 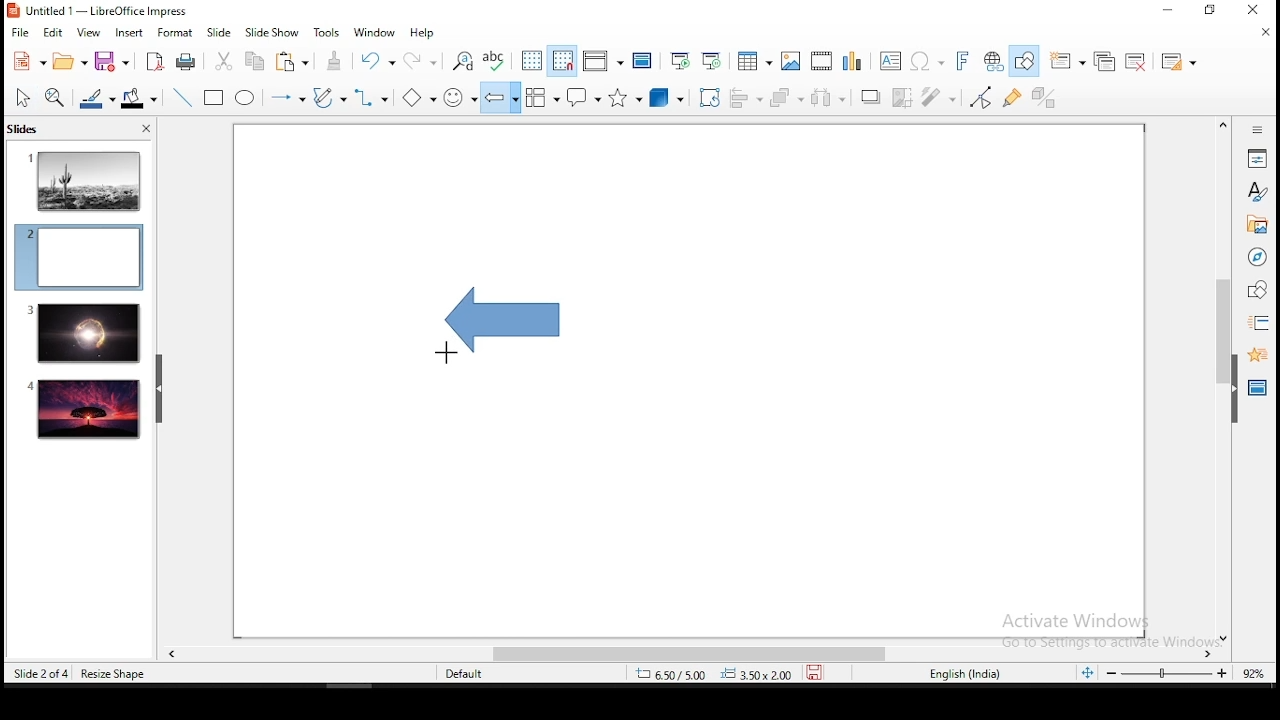 I want to click on export as pdf, so click(x=153, y=62).